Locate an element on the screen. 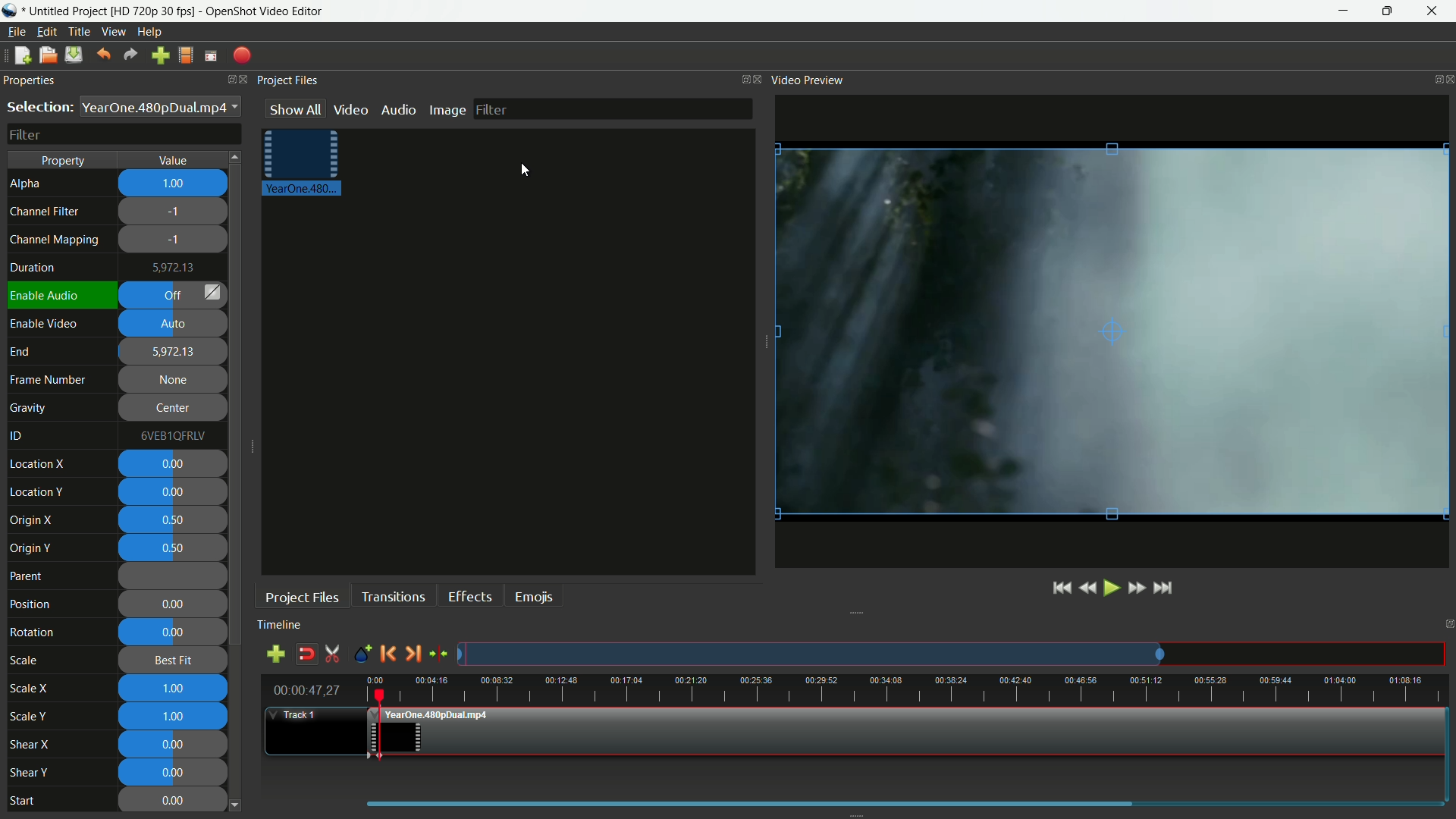 This screenshot has height=819, width=1456. jump to end is located at coordinates (1163, 588).